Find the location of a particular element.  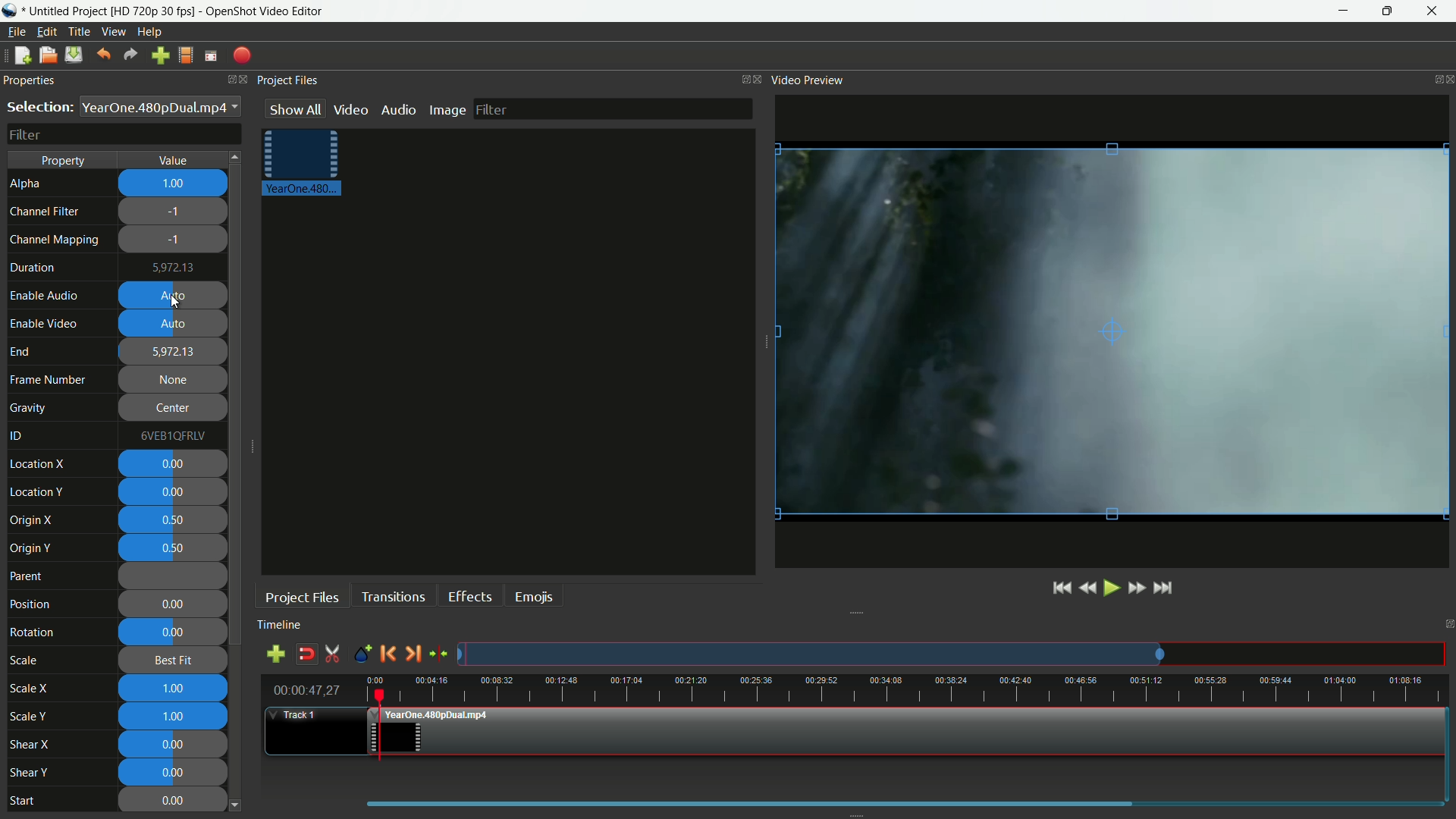

enable audio is located at coordinates (46, 296).